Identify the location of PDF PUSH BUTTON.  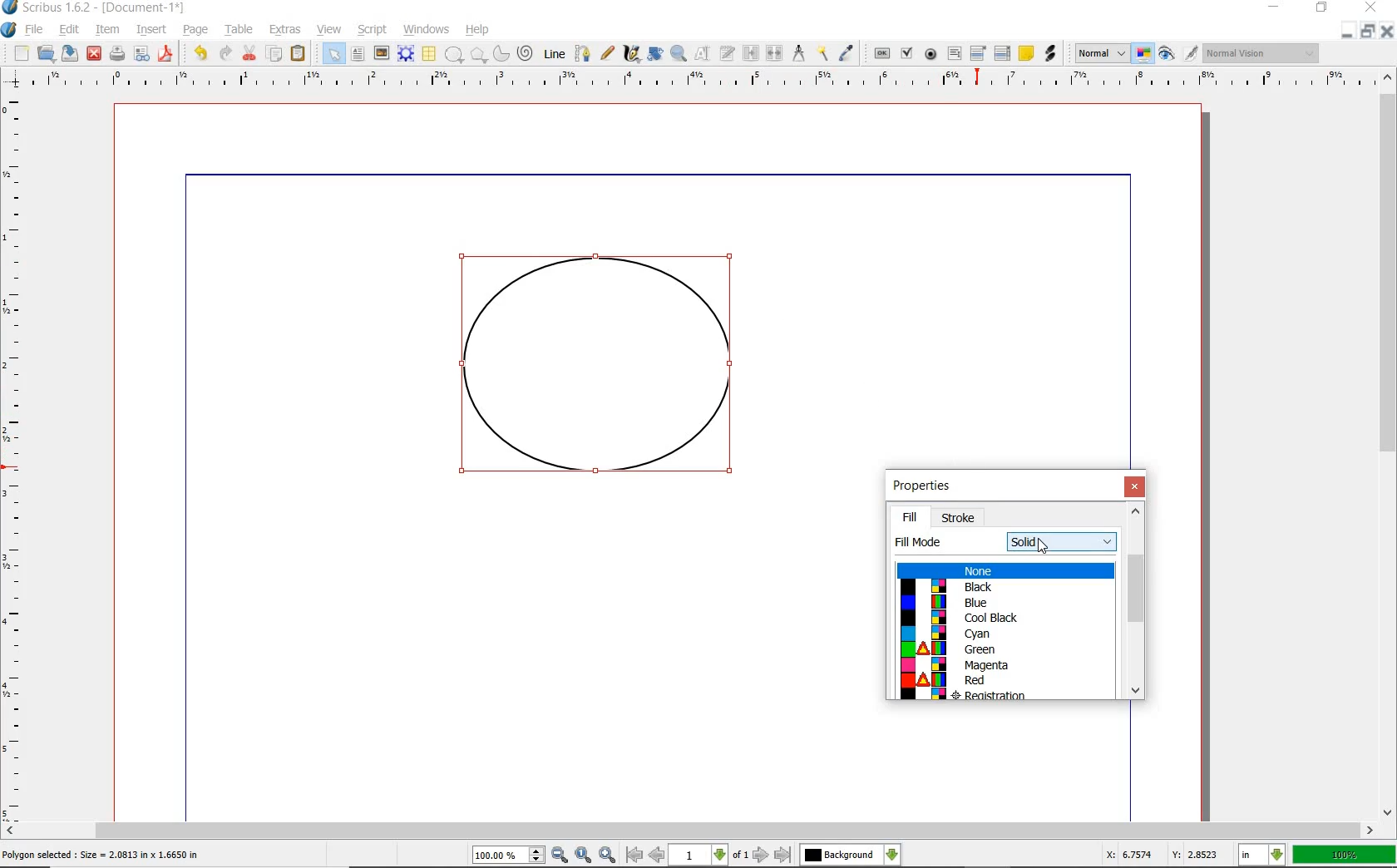
(881, 54).